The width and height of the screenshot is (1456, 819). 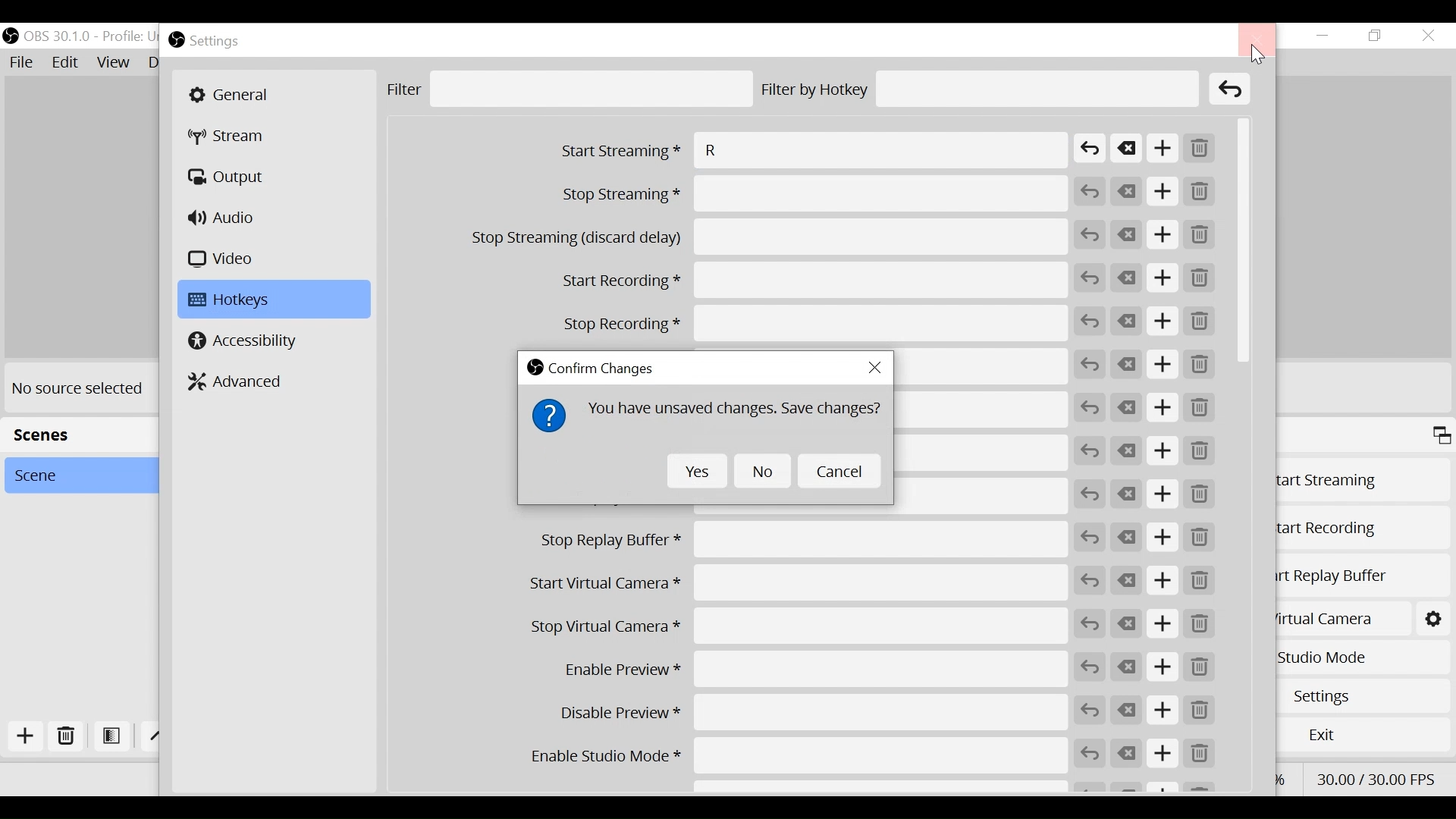 I want to click on Clear, so click(x=1128, y=753).